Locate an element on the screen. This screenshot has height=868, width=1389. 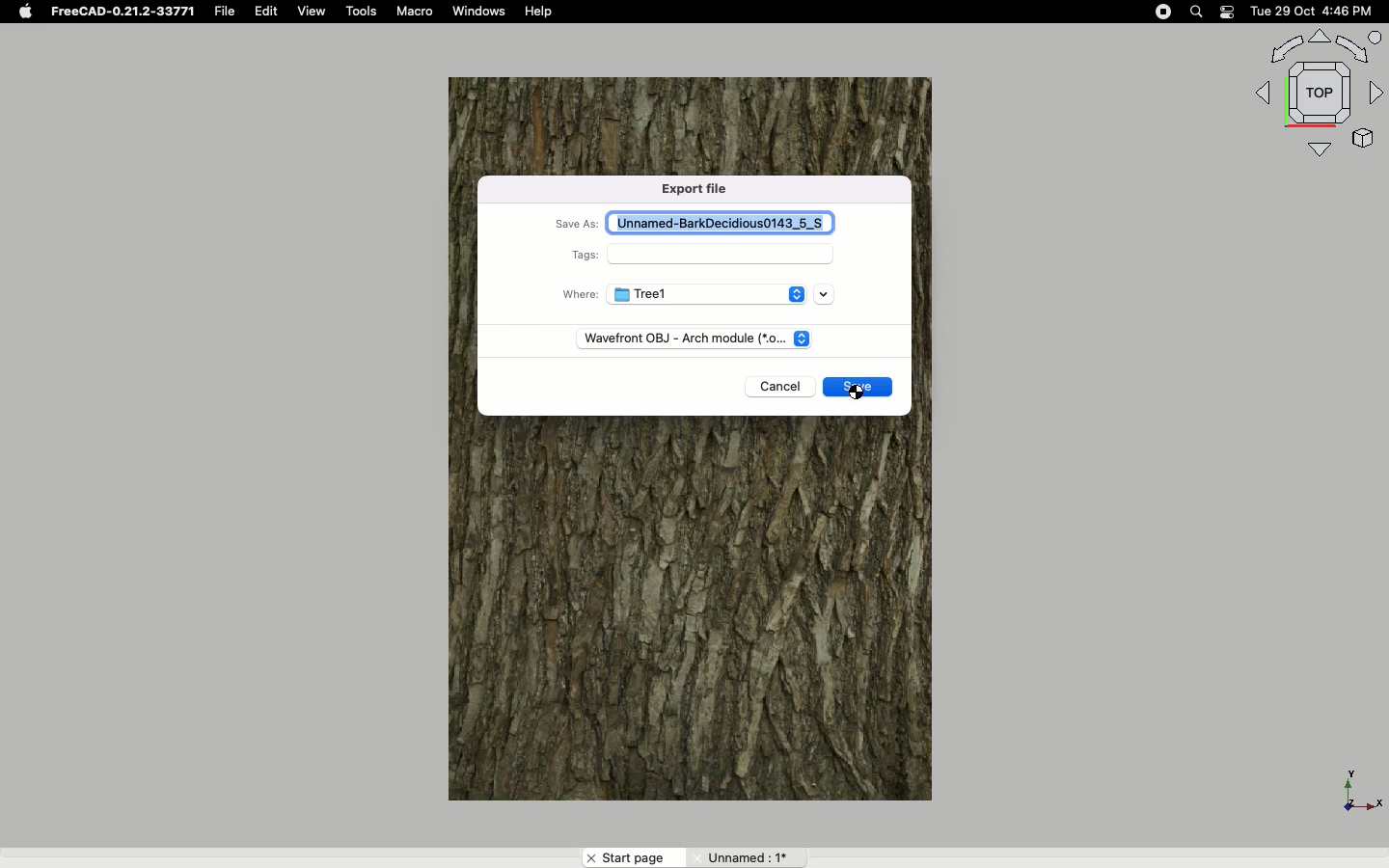
Navigation styles is located at coordinates (1316, 93).